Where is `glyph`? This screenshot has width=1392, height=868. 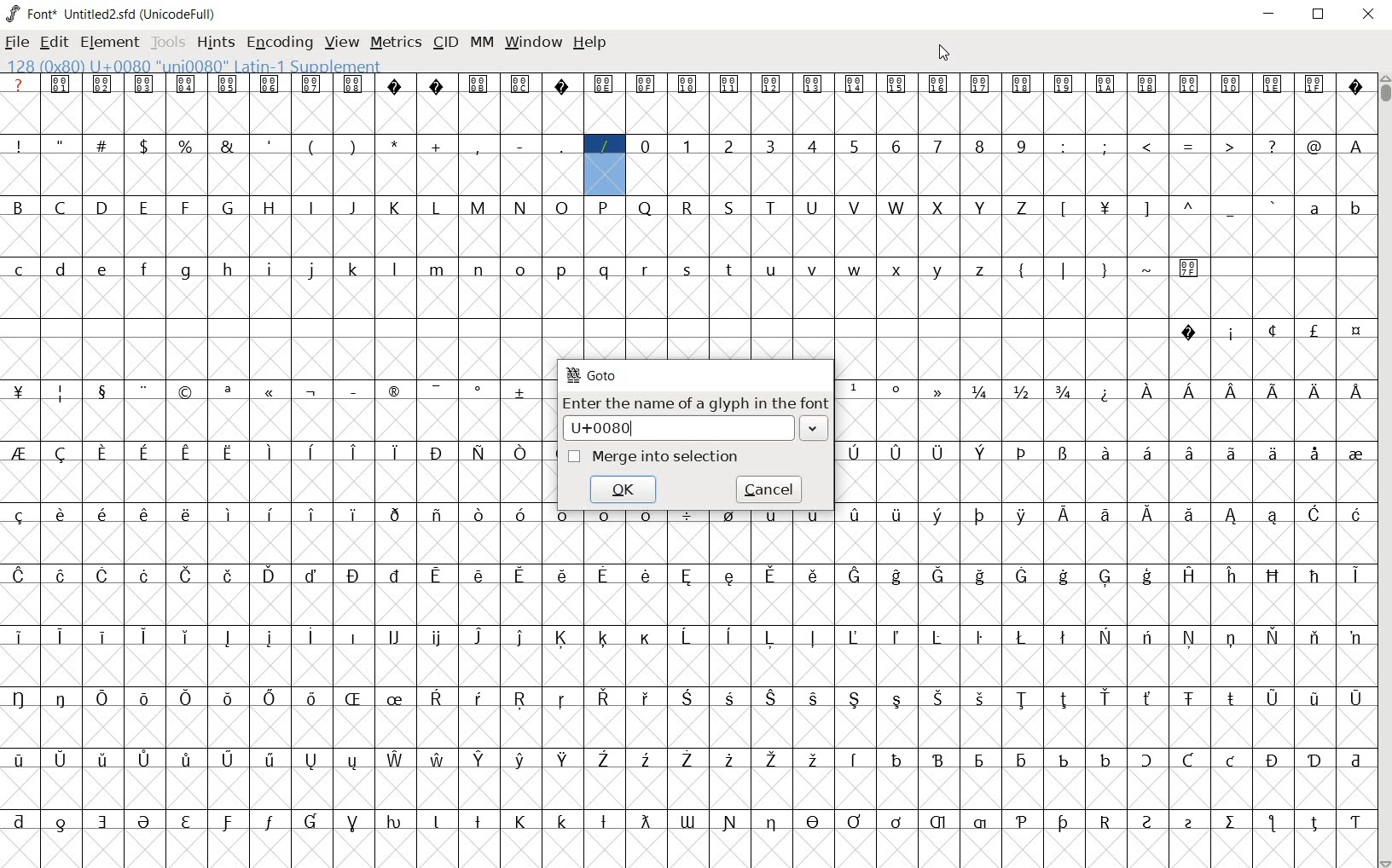
glyph is located at coordinates (1105, 515).